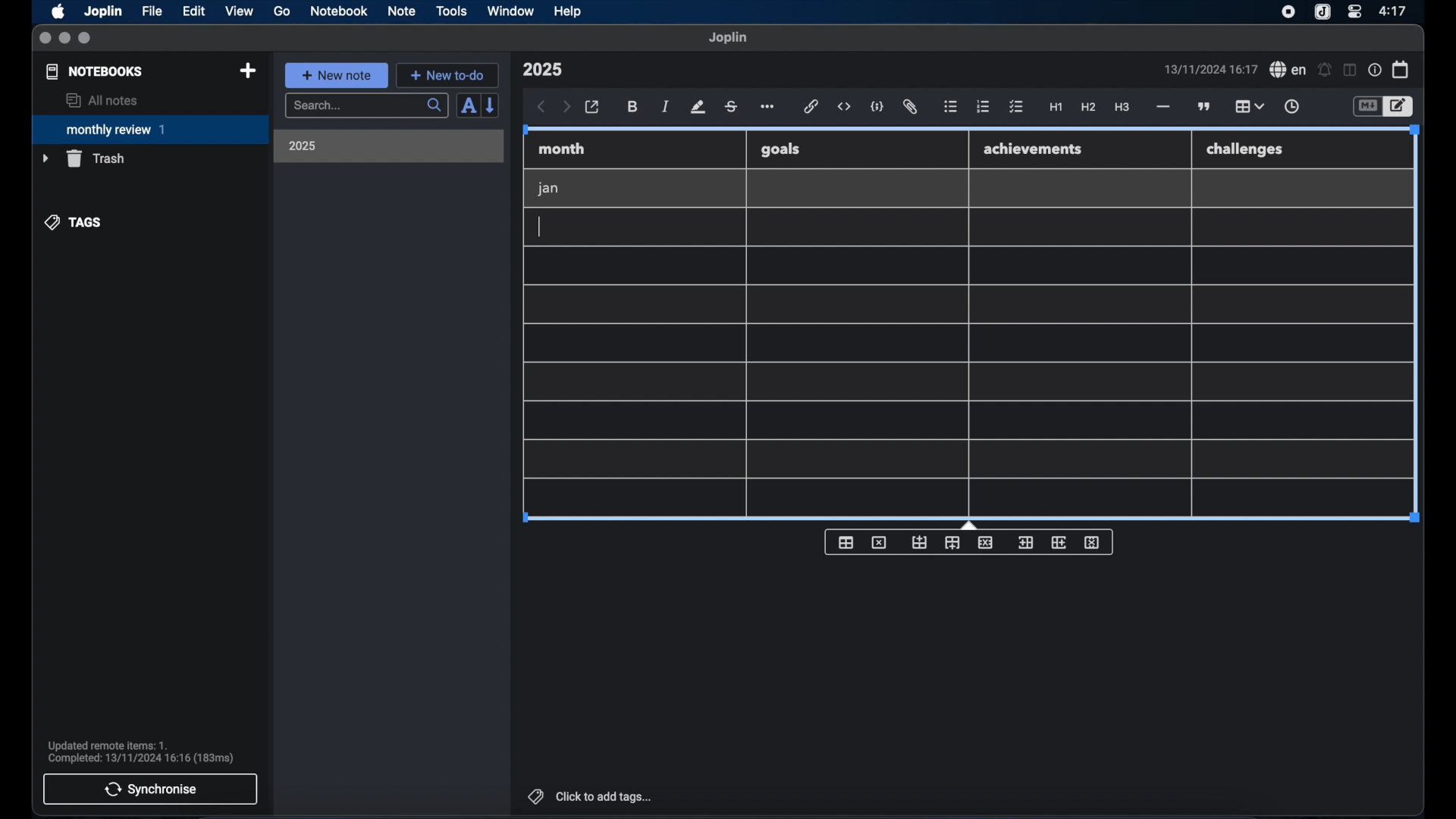 Image resolution: width=1456 pixels, height=819 pixels. What do you see at coordinates (152, 11) in the screenshot?
I see `file` at bounding box center [152, 11].